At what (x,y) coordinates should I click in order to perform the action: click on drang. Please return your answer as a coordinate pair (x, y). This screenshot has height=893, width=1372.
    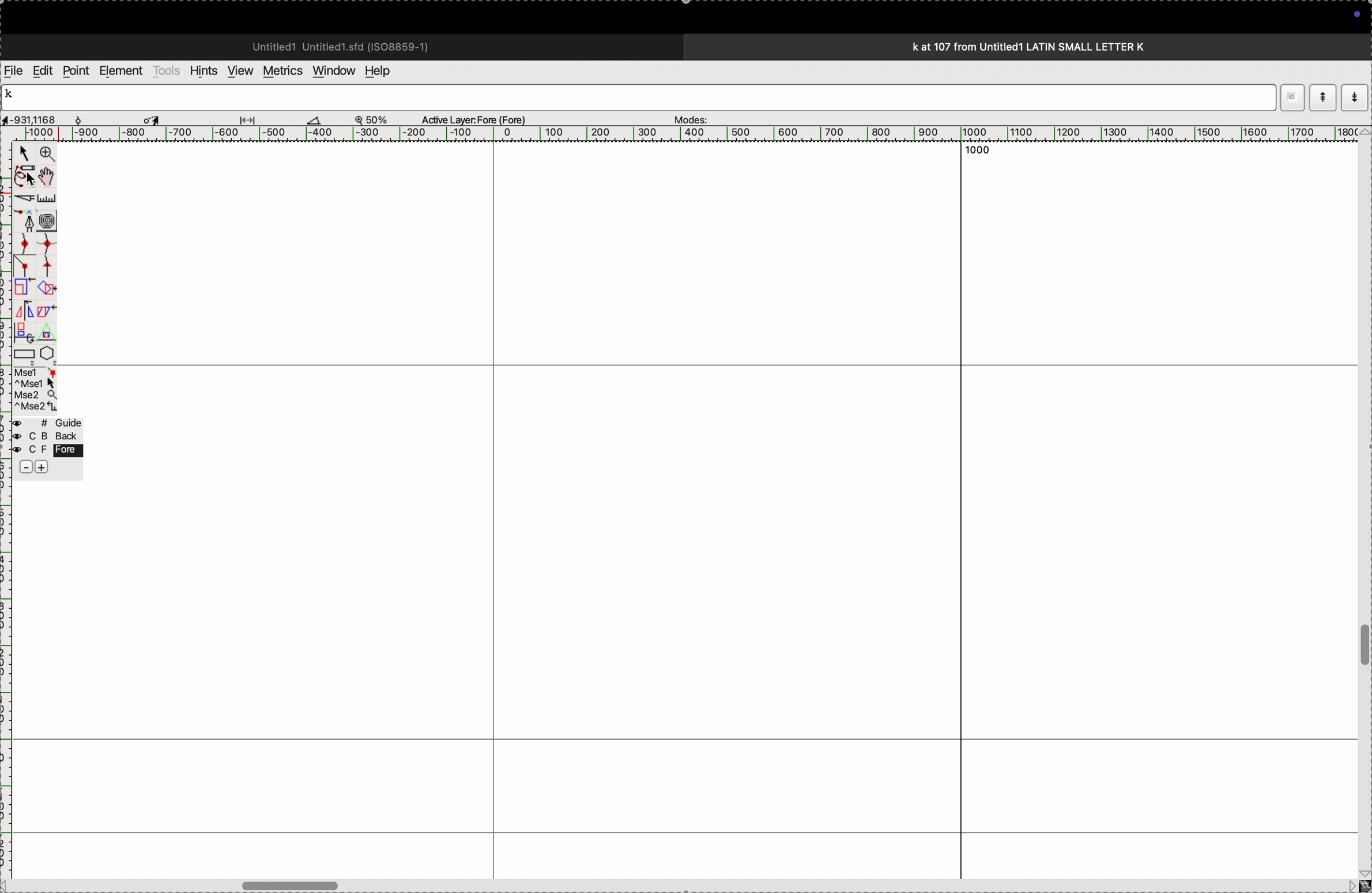
    Looking at the image, I should click on (254, 118).